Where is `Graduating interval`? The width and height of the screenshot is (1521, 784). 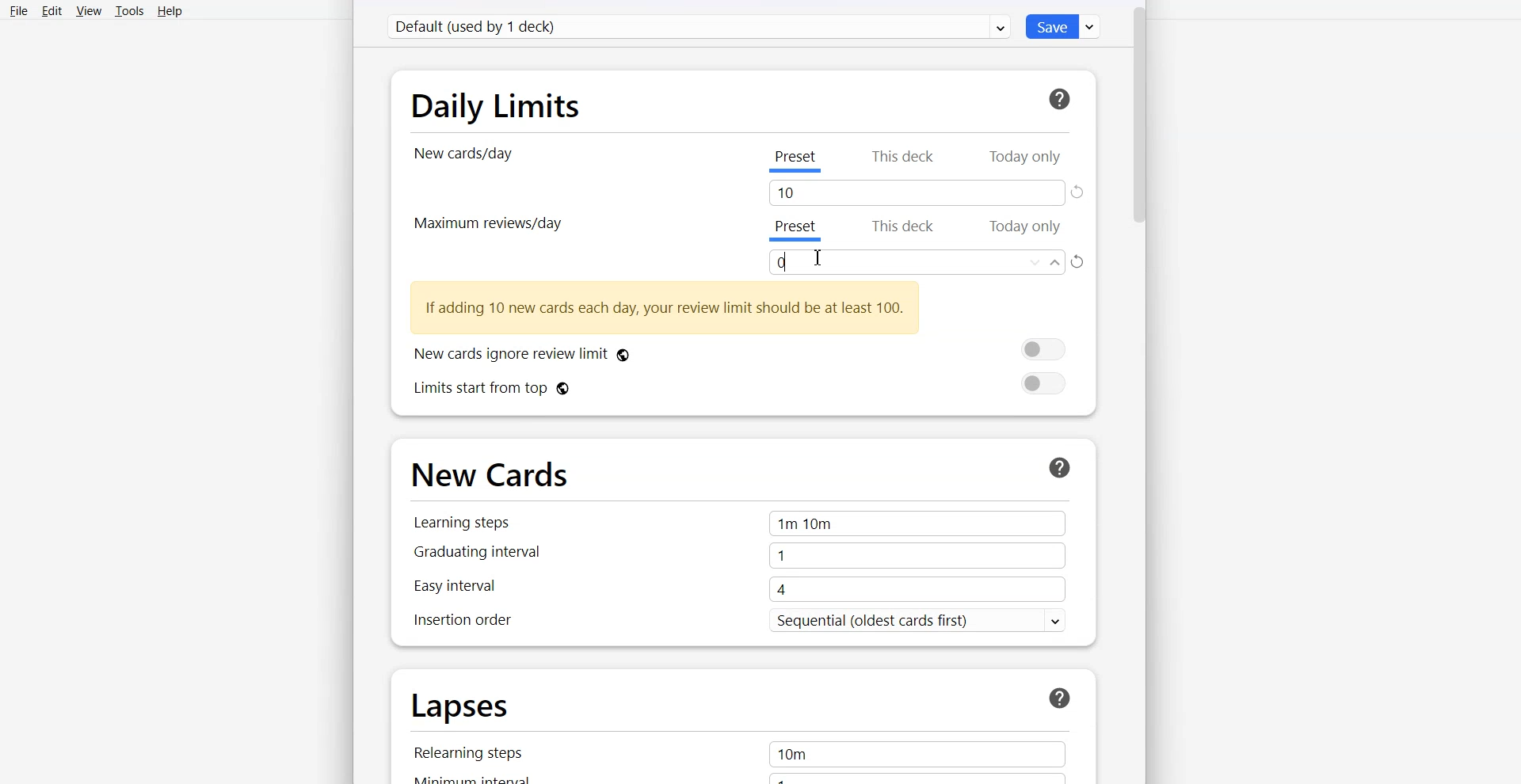
Graduating interval is located at coordinates (738, 558).